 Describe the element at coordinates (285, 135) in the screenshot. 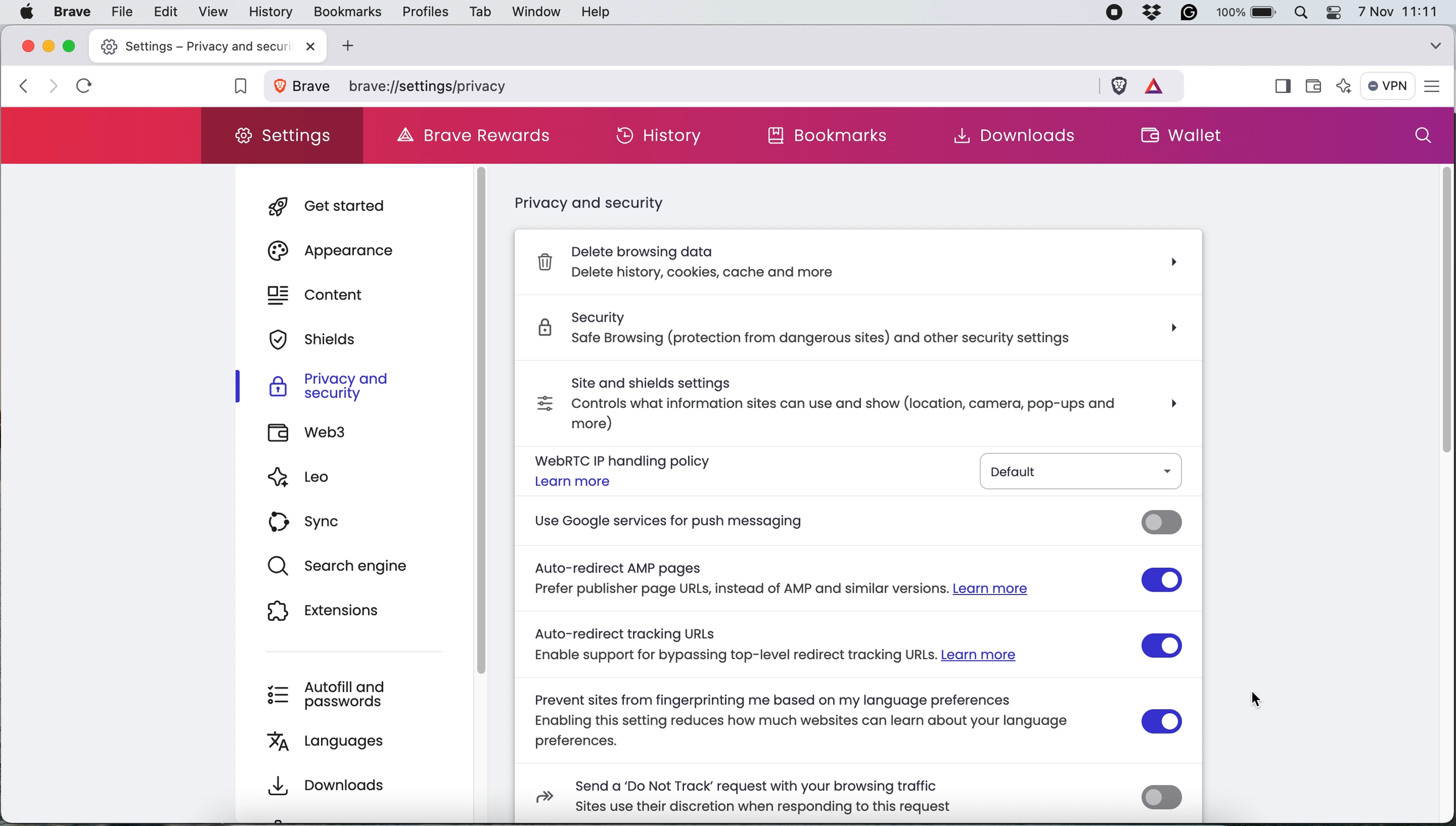

I see `settings` at that location.